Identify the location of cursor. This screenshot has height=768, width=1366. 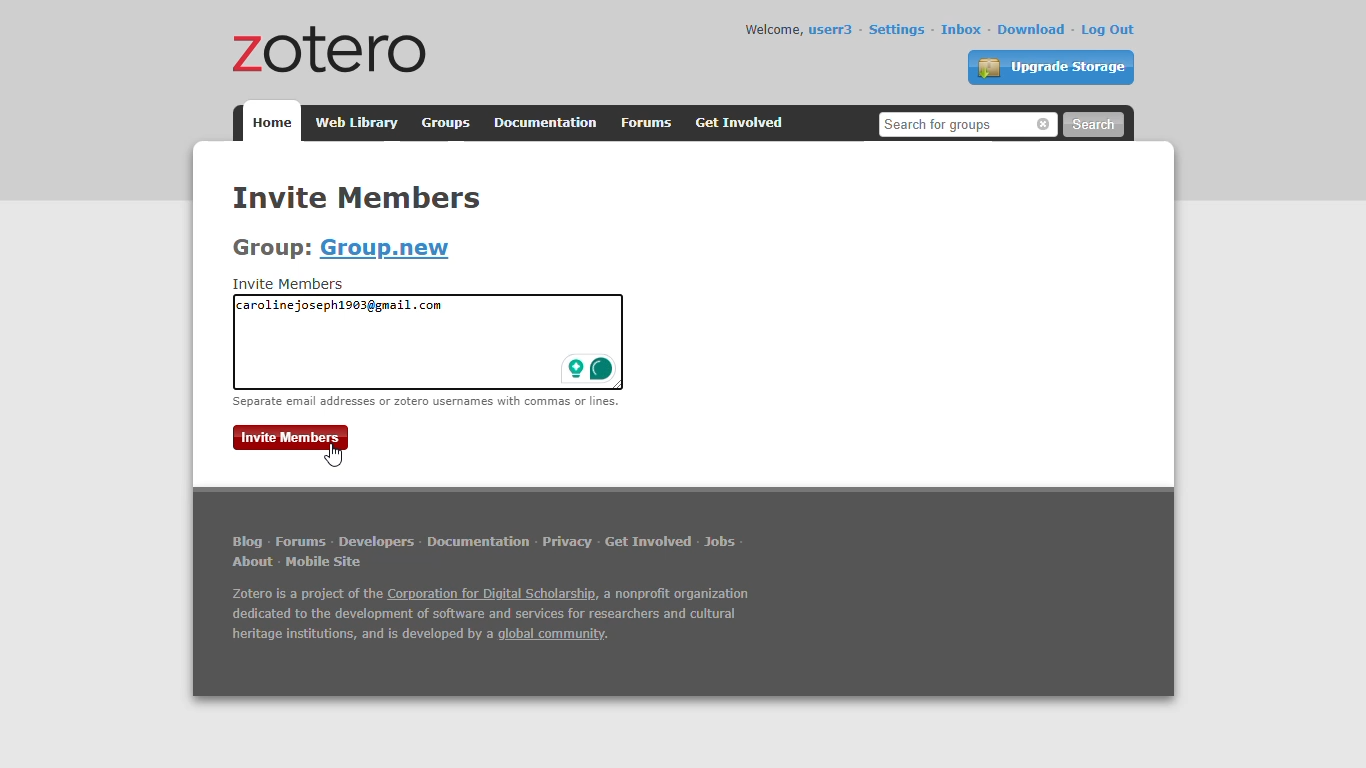
(334, 455).